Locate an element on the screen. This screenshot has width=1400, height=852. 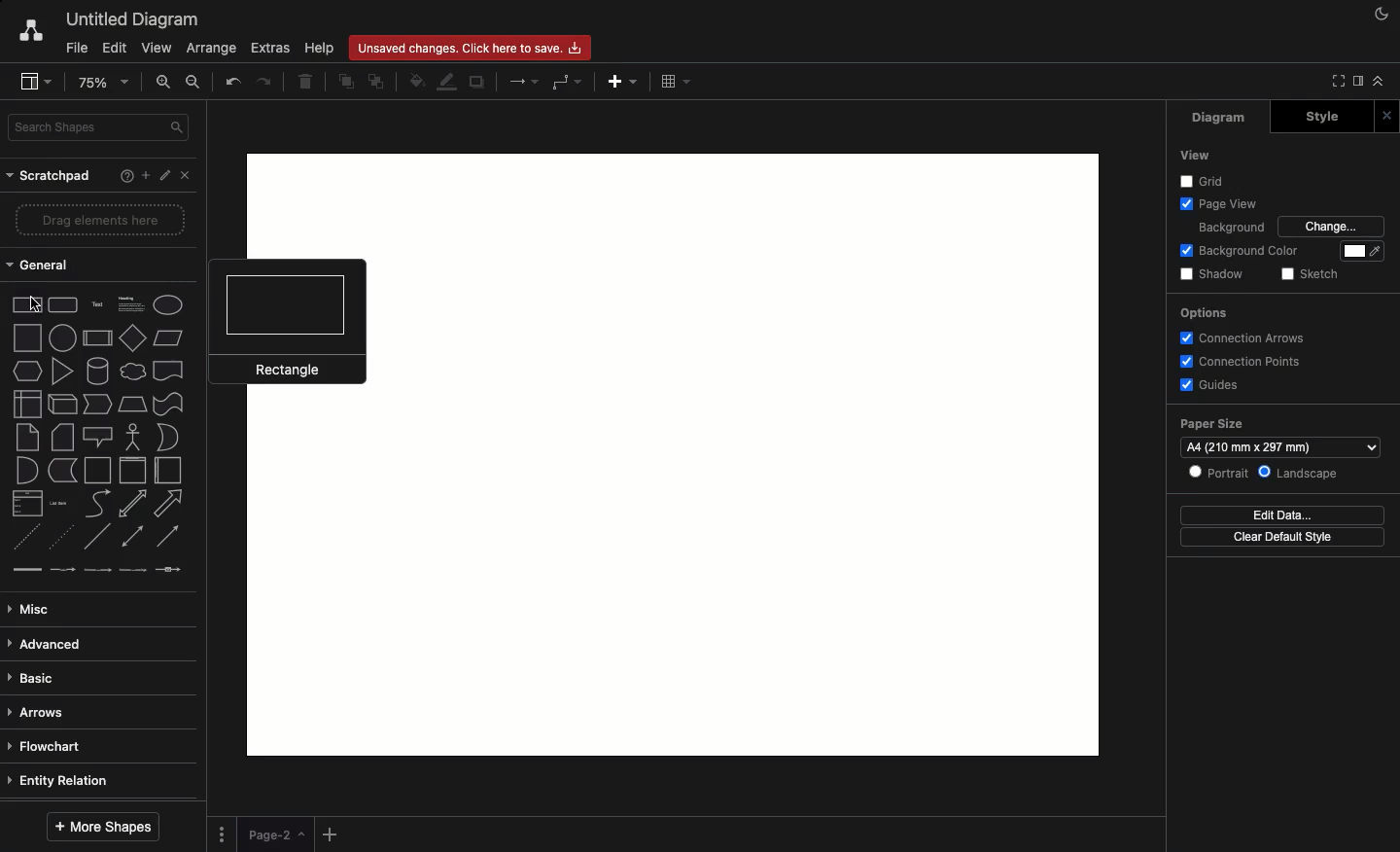
data storage is located at coordinates (63, 471).